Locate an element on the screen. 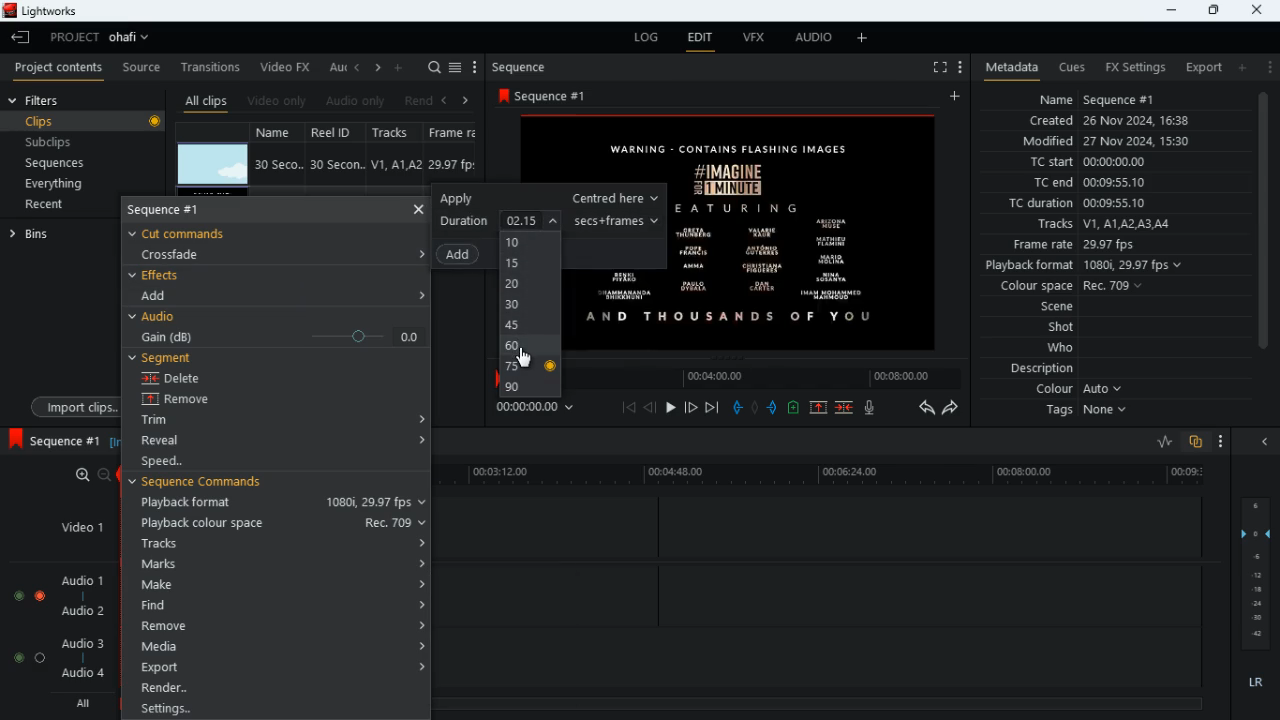  list is located at coordinates (455, 68).